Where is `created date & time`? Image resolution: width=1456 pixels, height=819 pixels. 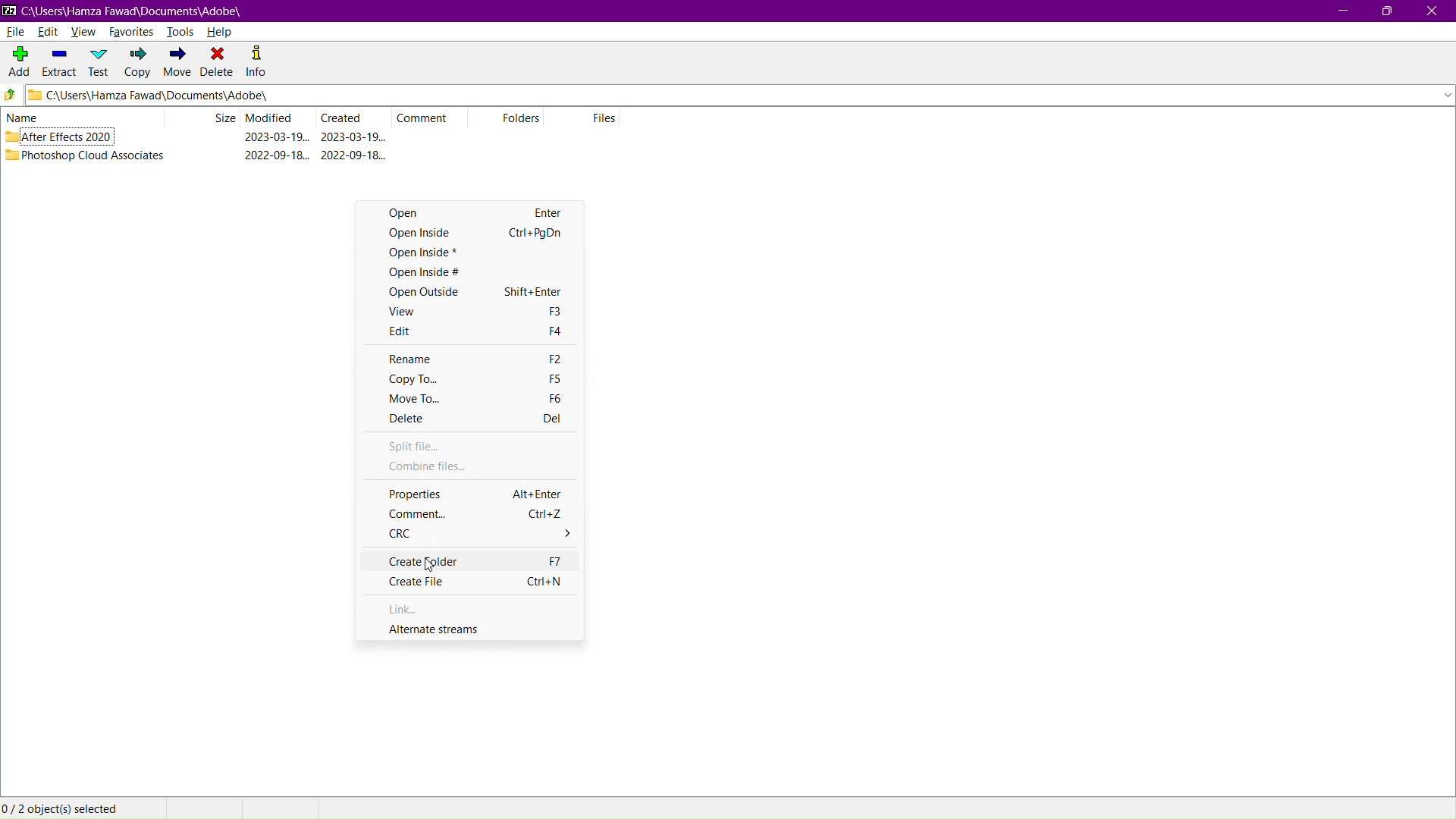 created date & time is located at coordinates (353, 136).